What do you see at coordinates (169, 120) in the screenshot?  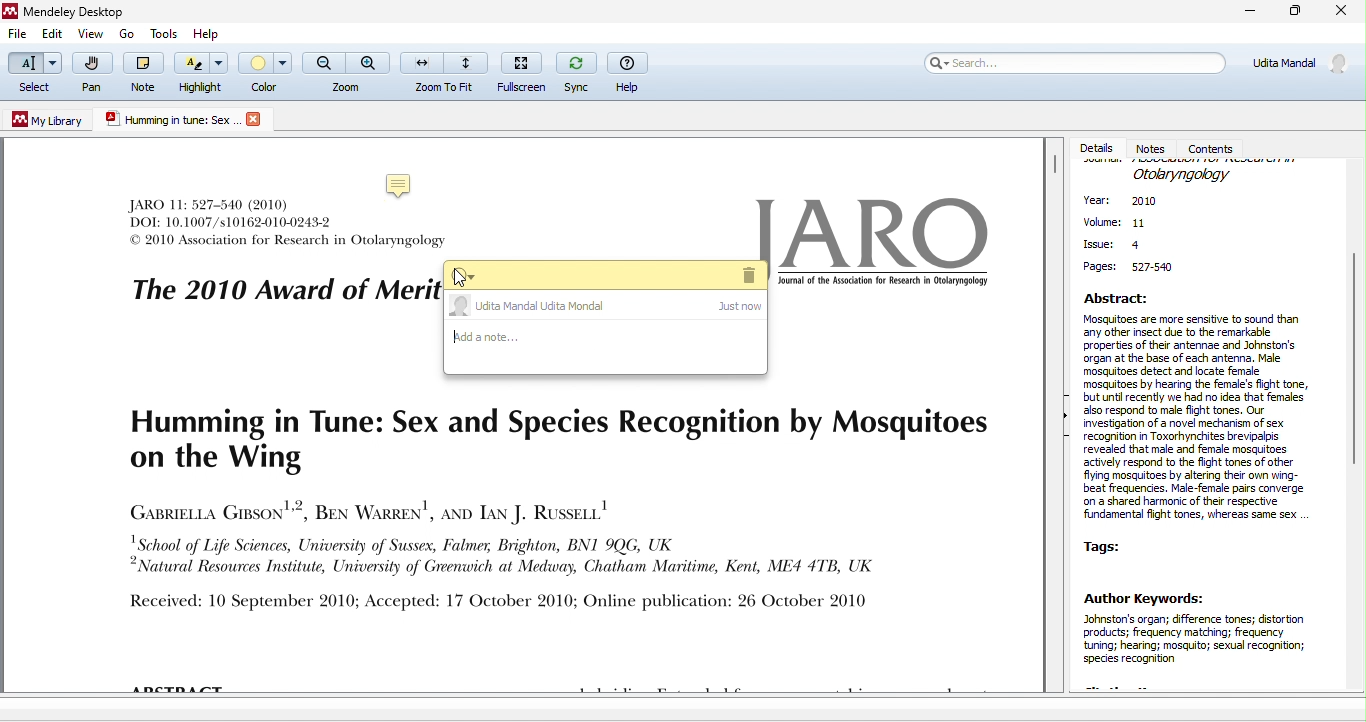 I see `pdf title` at bounding box center [169, 120].